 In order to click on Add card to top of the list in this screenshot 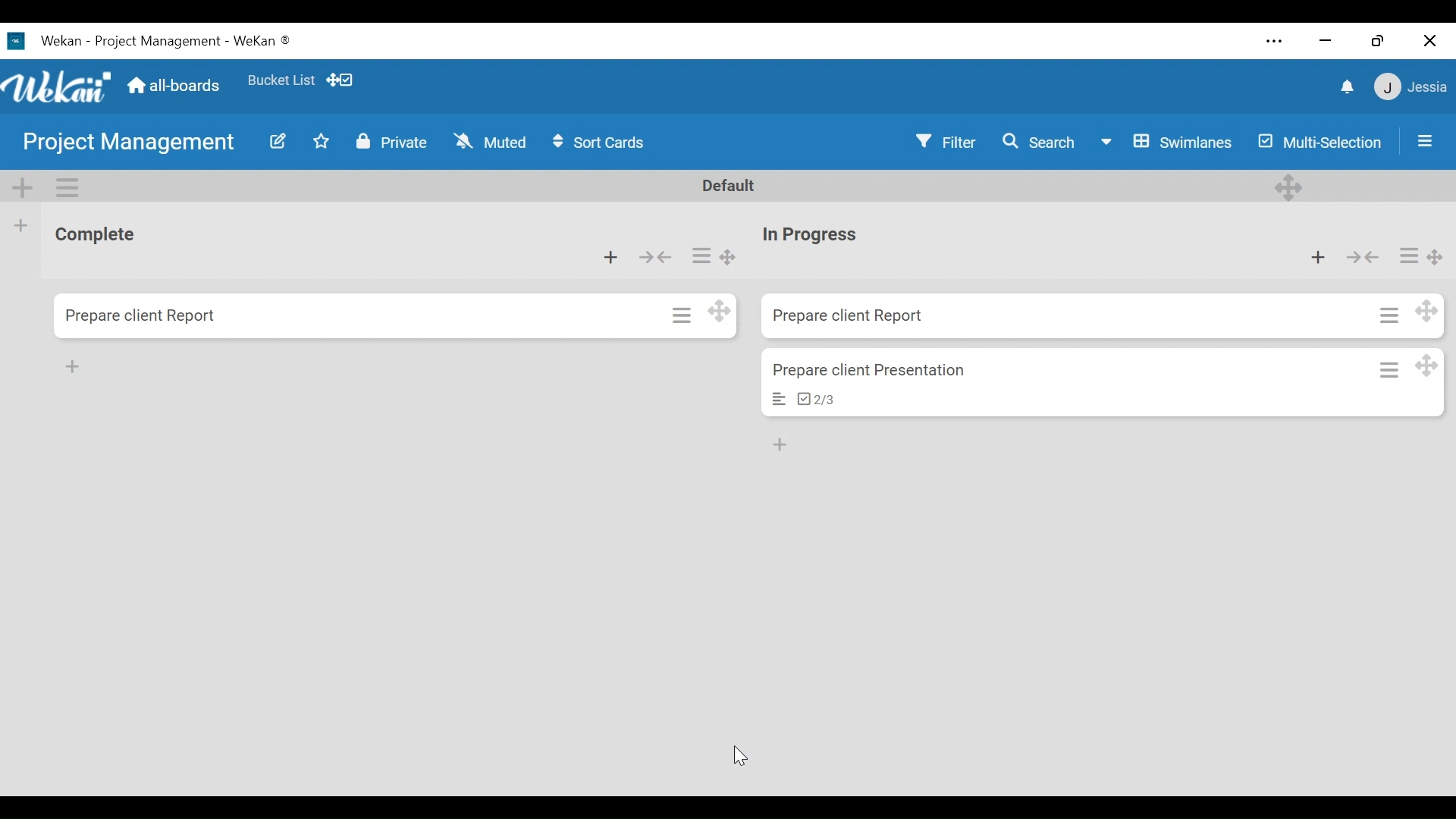, I will do `click(609, 258)`.